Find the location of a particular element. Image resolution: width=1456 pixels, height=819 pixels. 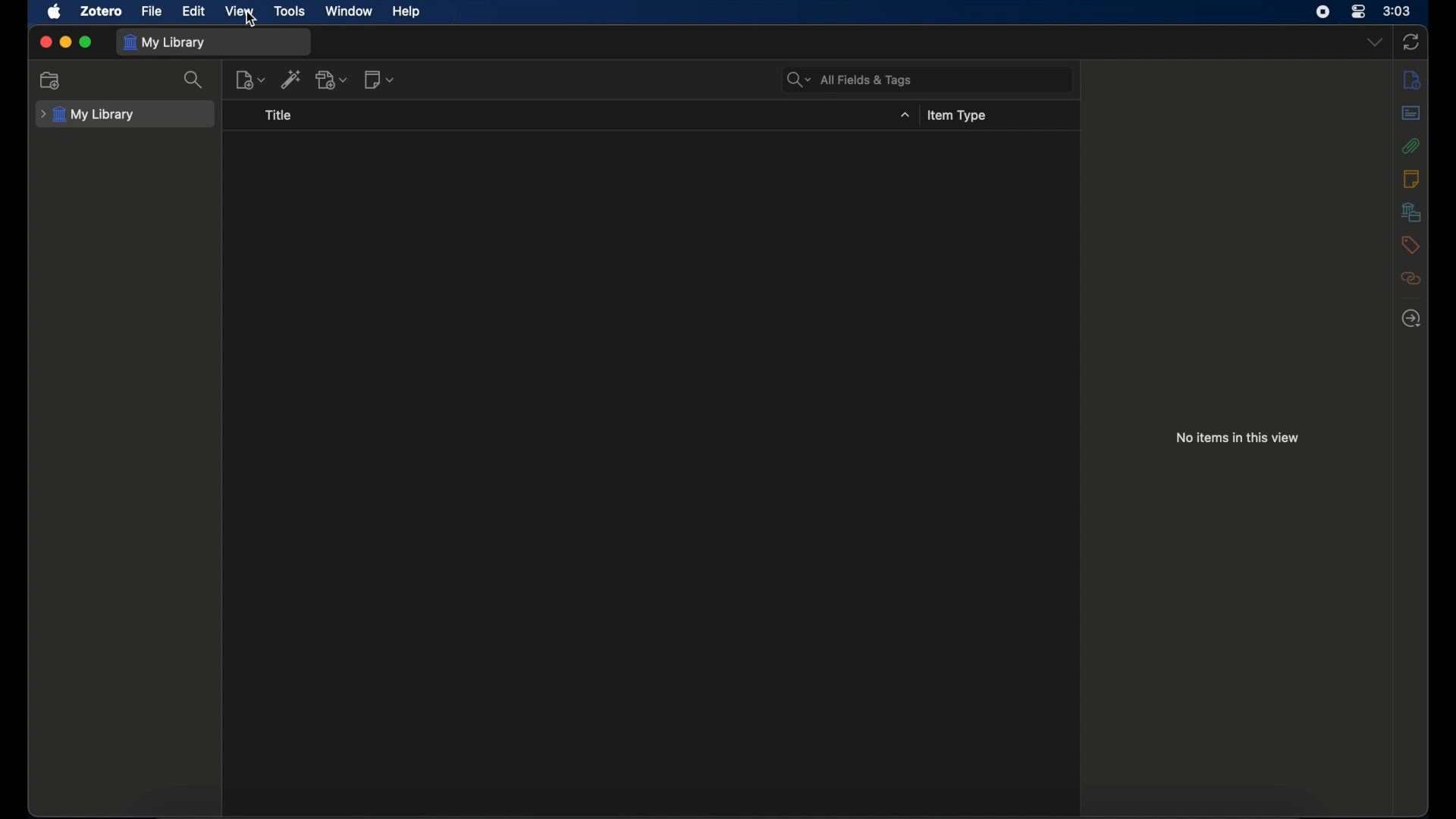

notes is located at coordinates (1412, 178).